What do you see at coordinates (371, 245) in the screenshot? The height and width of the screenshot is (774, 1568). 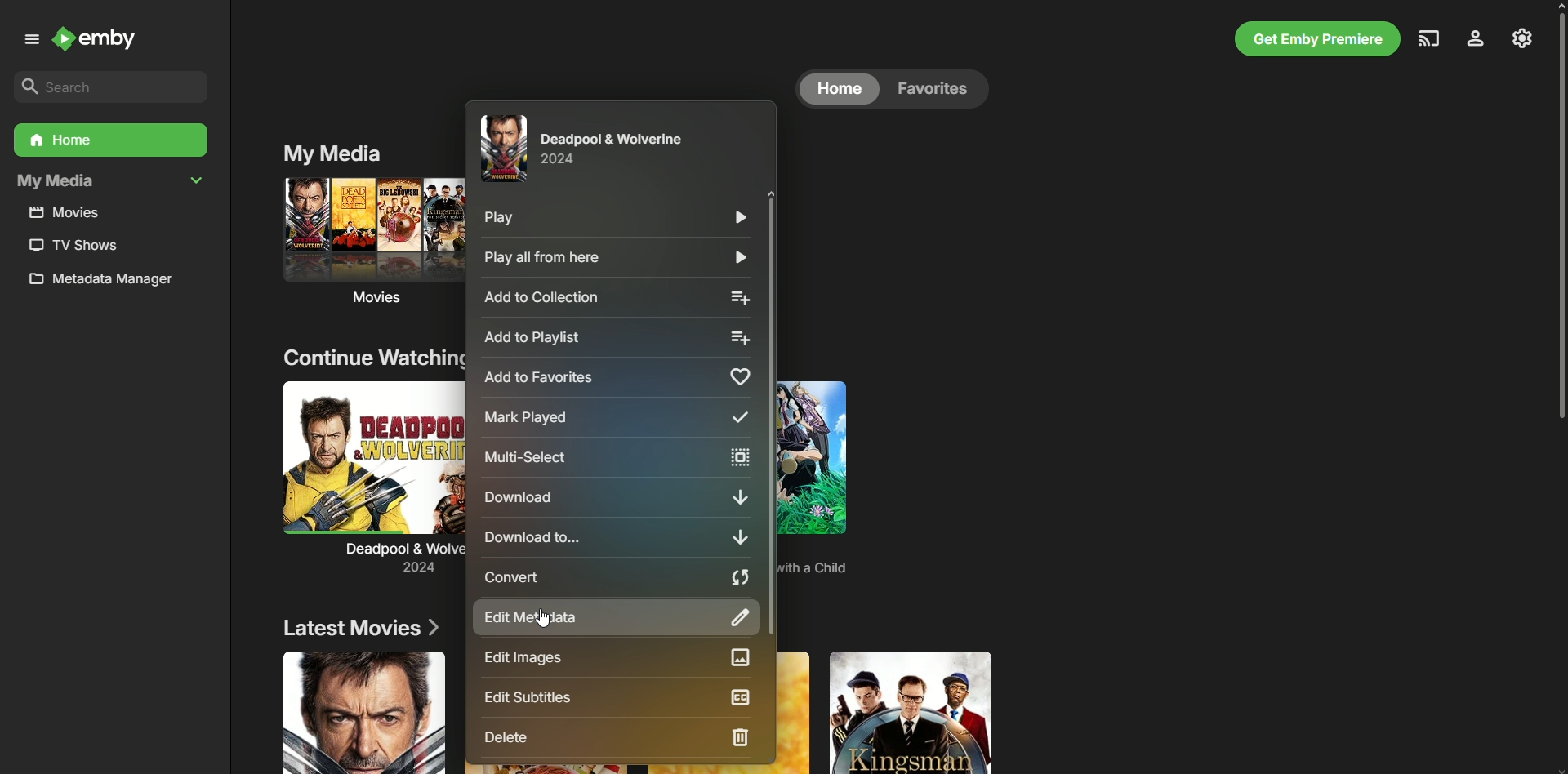 I see `Movies` at bounding box center [371, 245].